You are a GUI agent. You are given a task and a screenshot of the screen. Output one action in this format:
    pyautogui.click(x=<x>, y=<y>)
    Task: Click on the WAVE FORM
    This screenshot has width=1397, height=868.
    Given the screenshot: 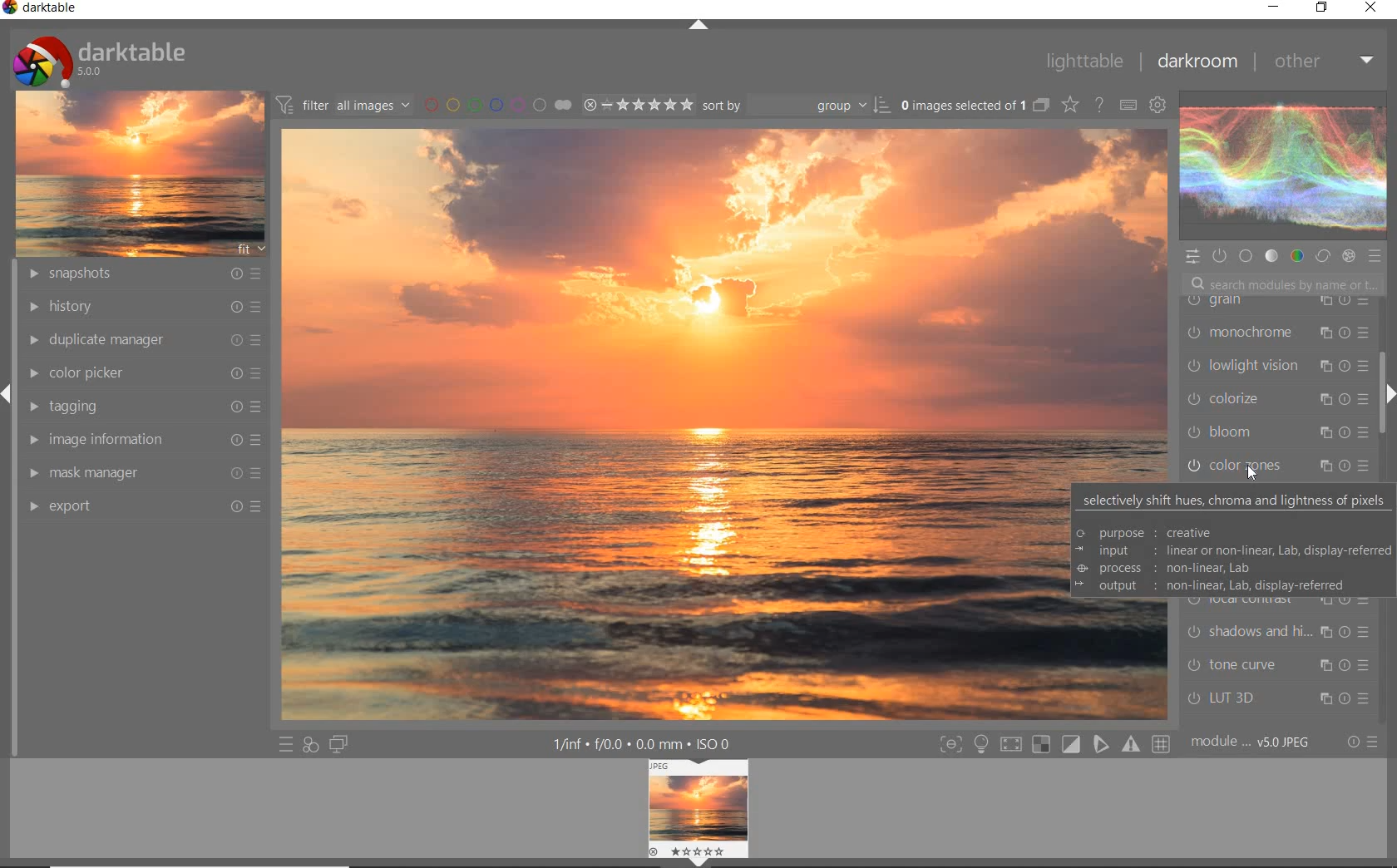 What is the action you would take?
    pyautogui.click(x=1281, y=168)
    